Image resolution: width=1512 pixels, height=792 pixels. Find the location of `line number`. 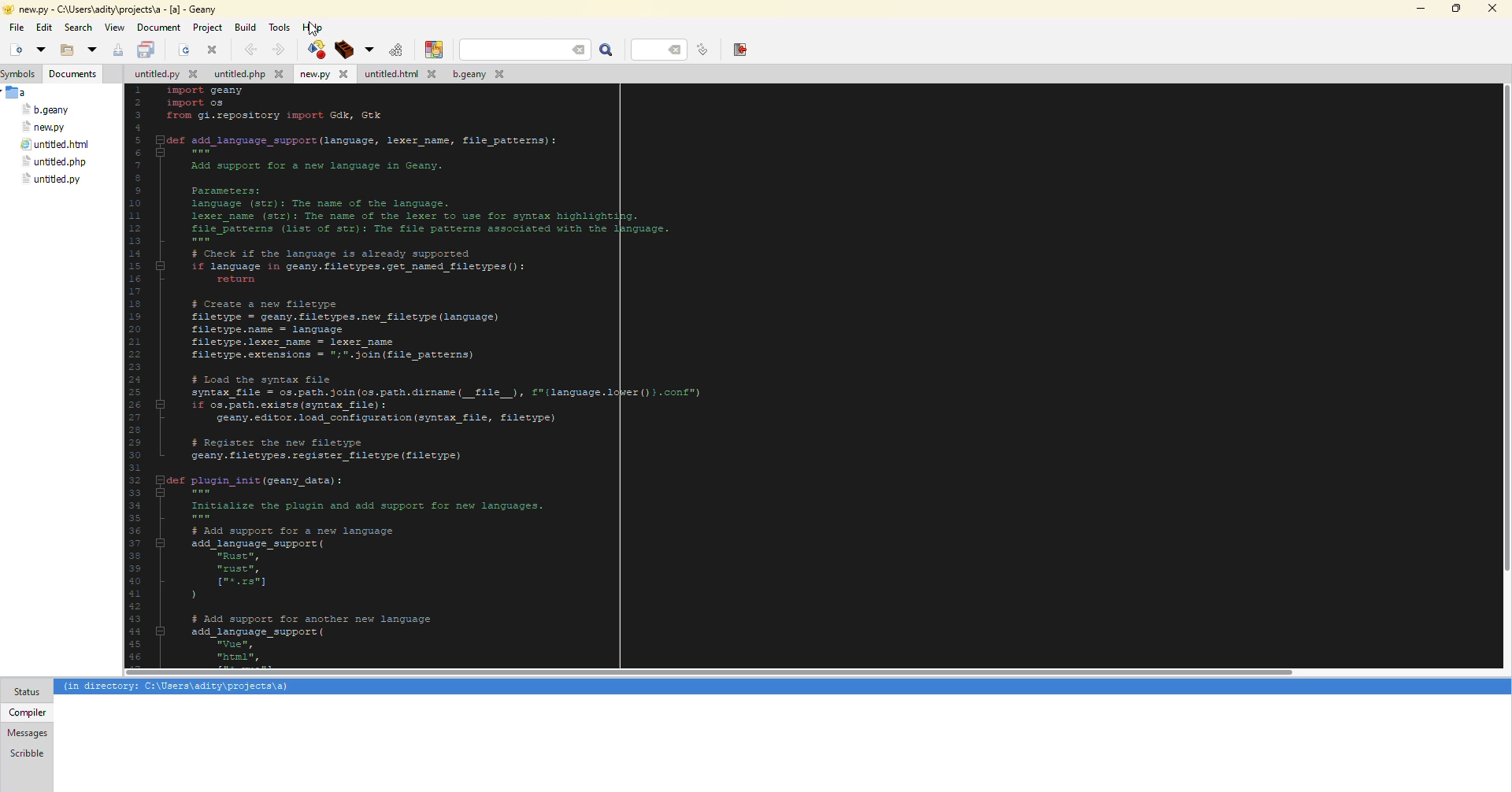

line number is located at coordinates (663, 49).